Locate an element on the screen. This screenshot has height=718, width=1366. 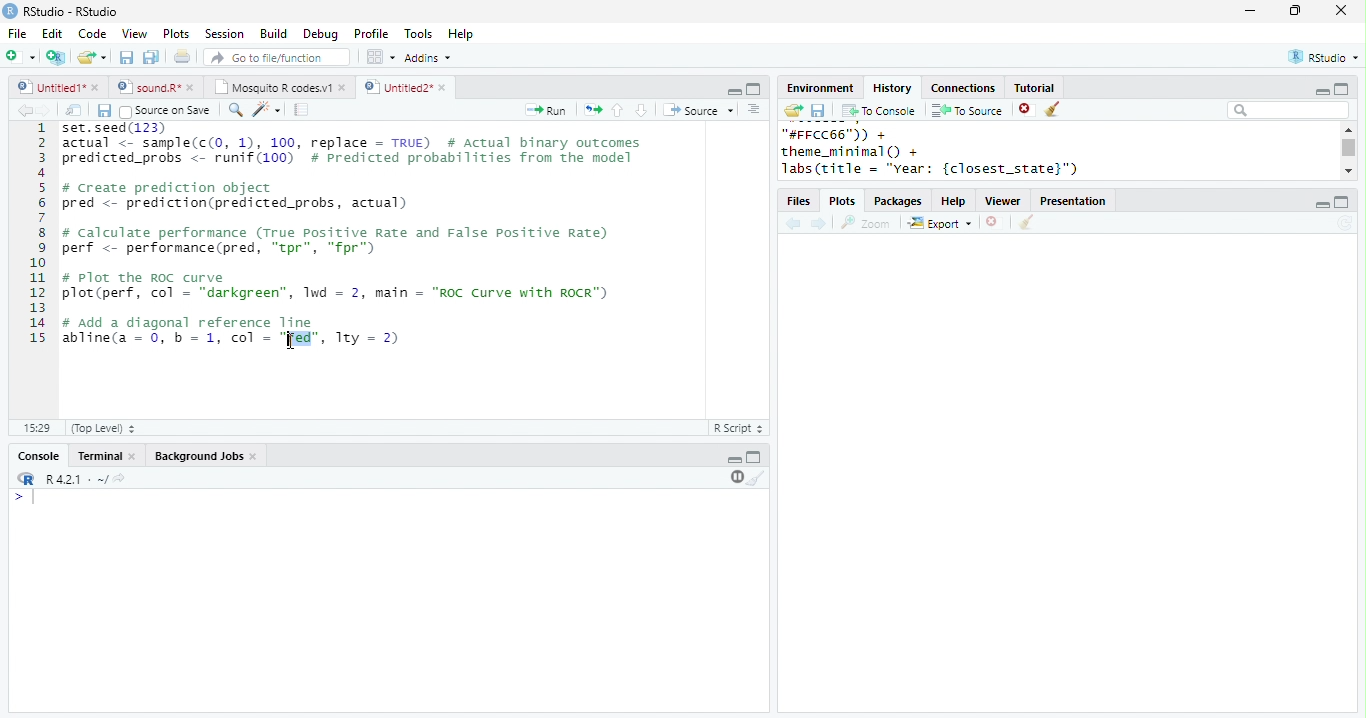
back is located at coordinates (793, 225).